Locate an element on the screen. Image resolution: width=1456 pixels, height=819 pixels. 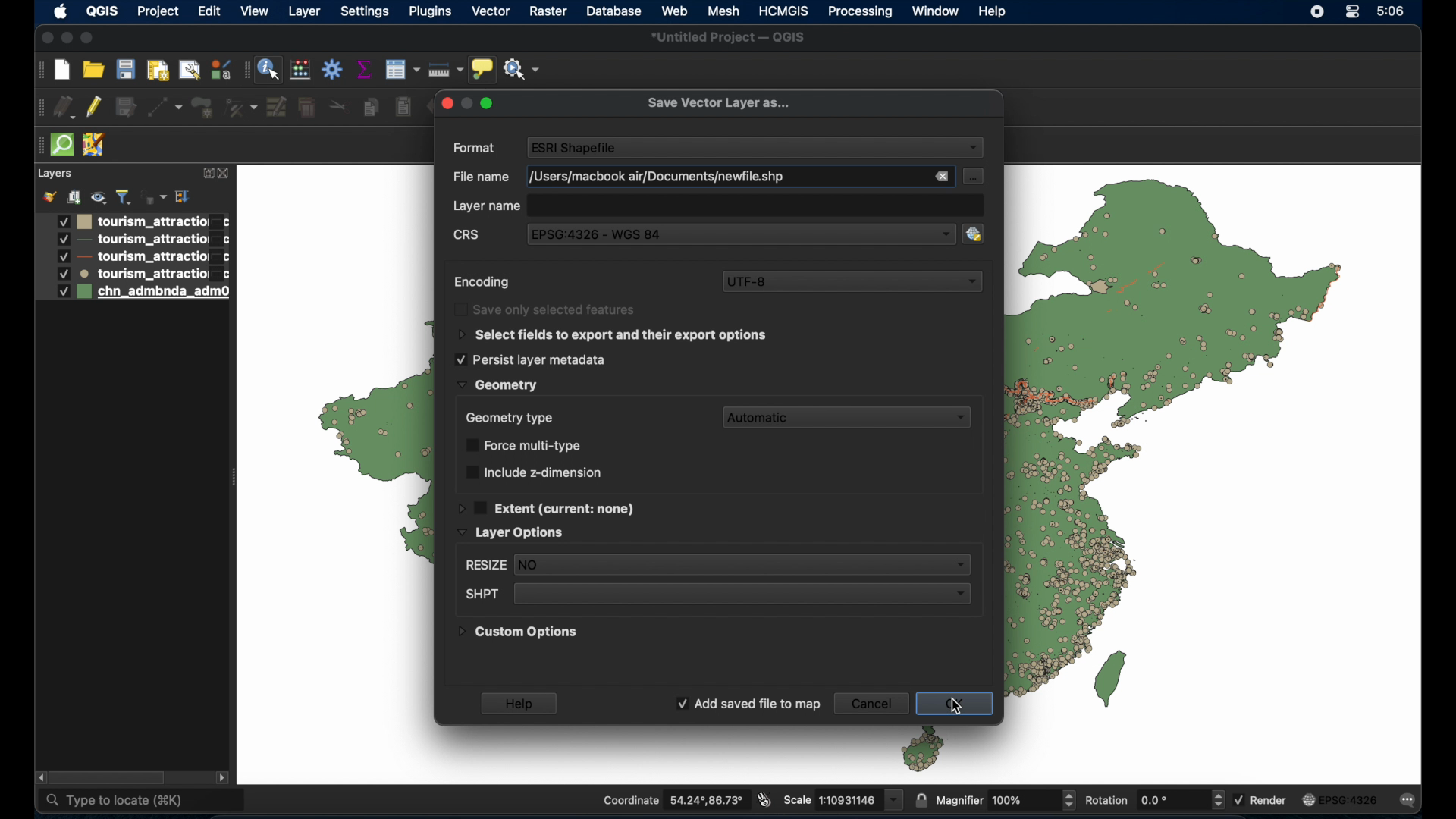
web is located at coordinates (675, 10).